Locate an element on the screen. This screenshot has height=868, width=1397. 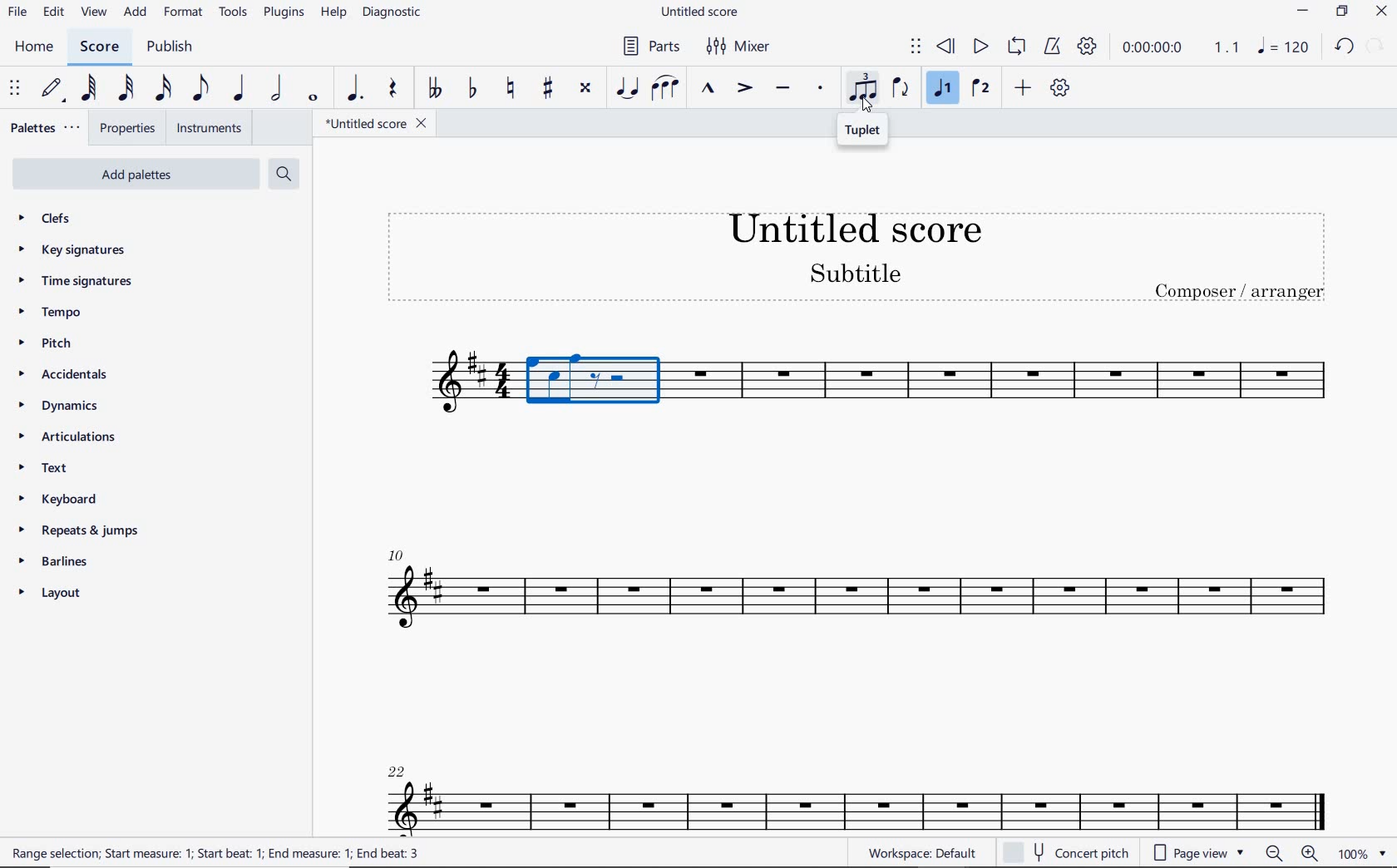
SLUR is located at coordinates (666, 89).